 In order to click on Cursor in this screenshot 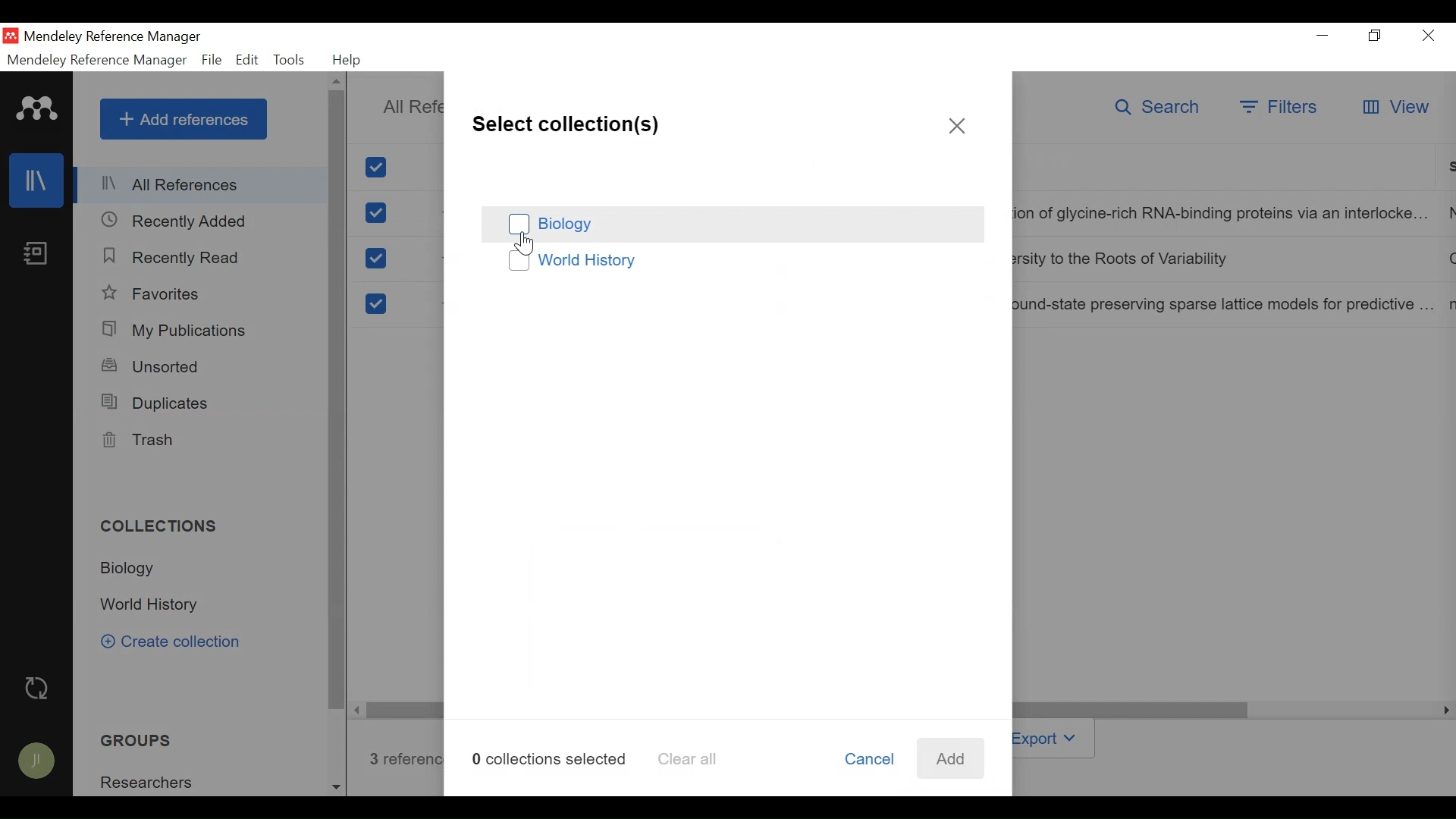, I will do `click(526, 245)`.